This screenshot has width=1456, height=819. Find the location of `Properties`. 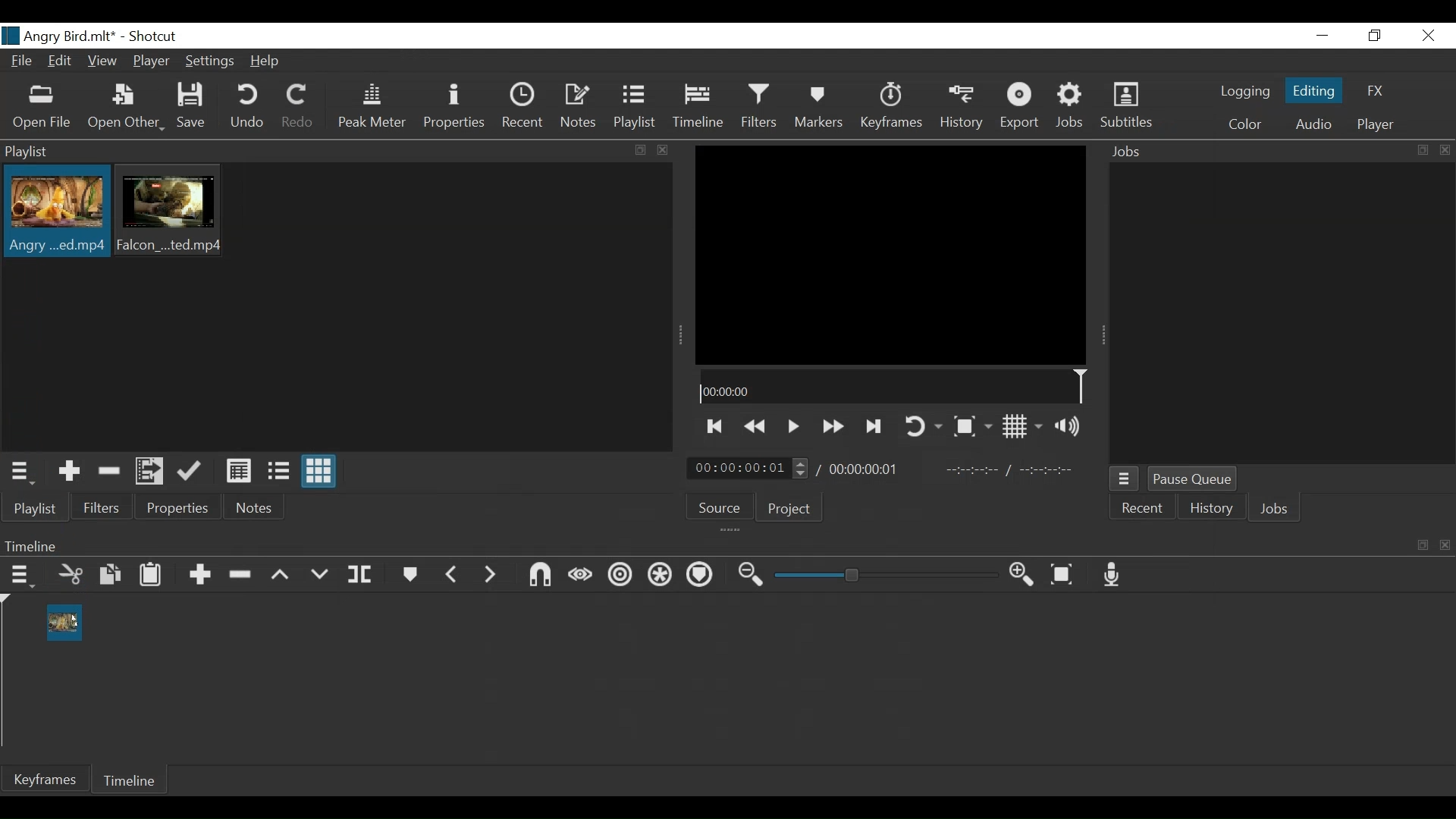

Properties is located at coordinates (176, 507).